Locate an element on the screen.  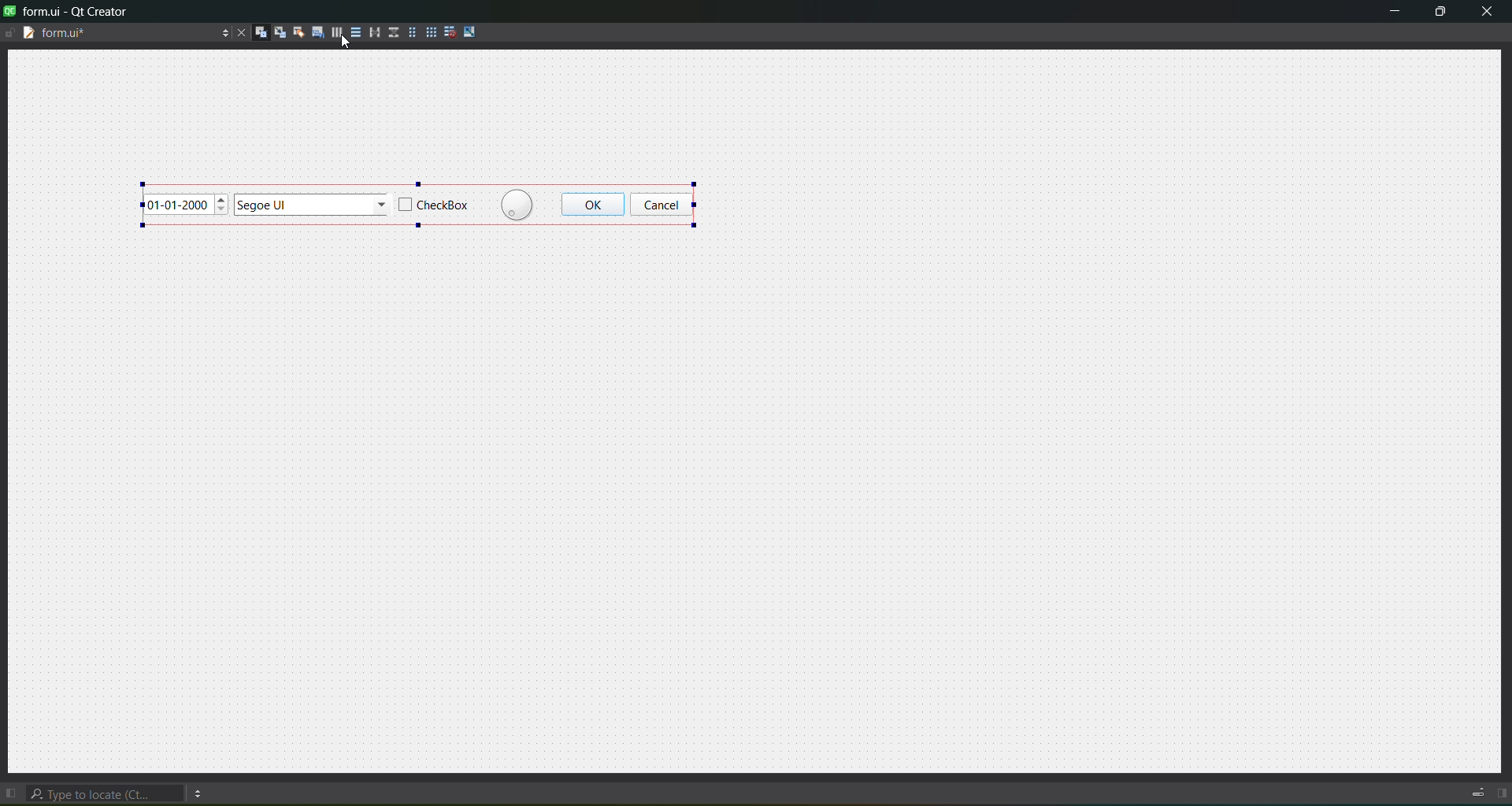
cursor is located at coordinates (345, 47).